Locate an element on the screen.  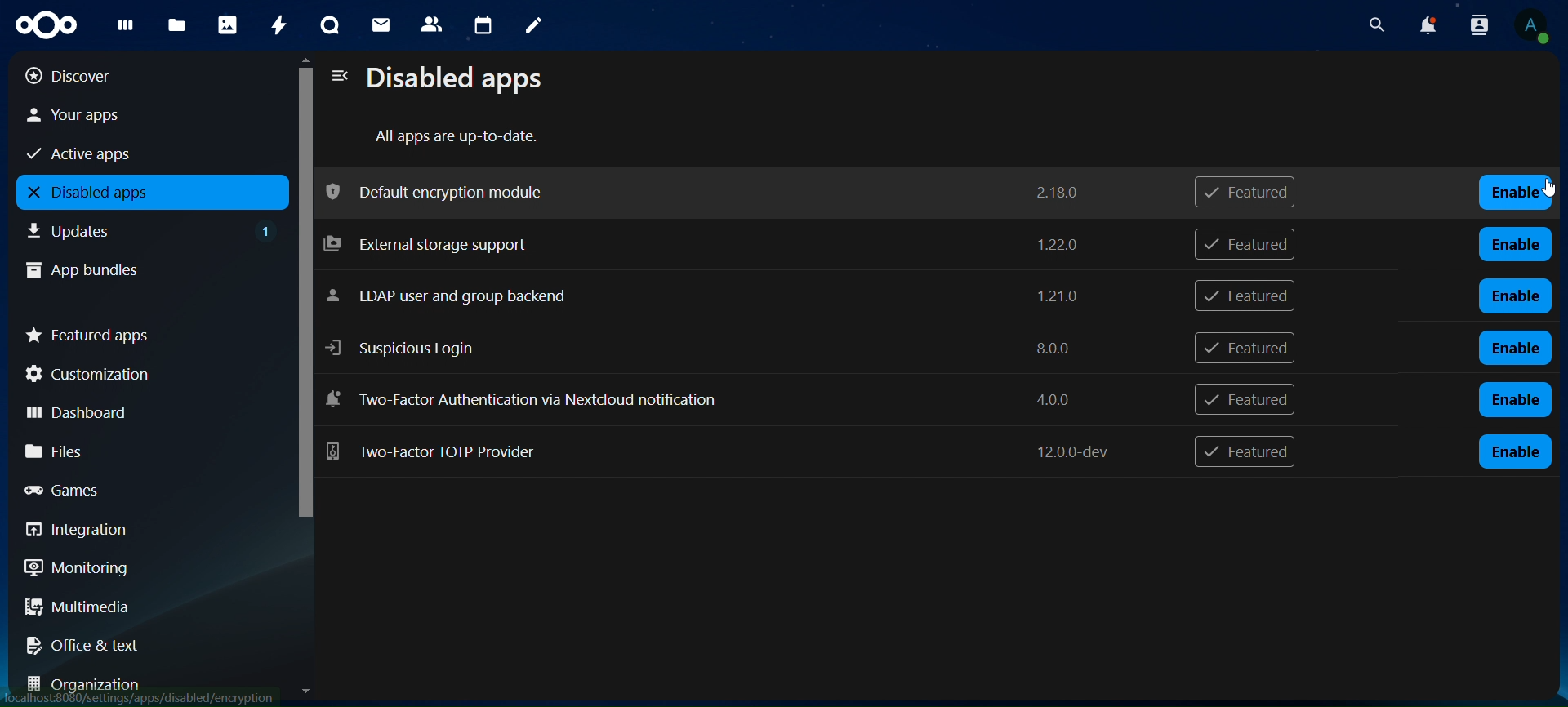
your apps is located at coordinates (132, 115).